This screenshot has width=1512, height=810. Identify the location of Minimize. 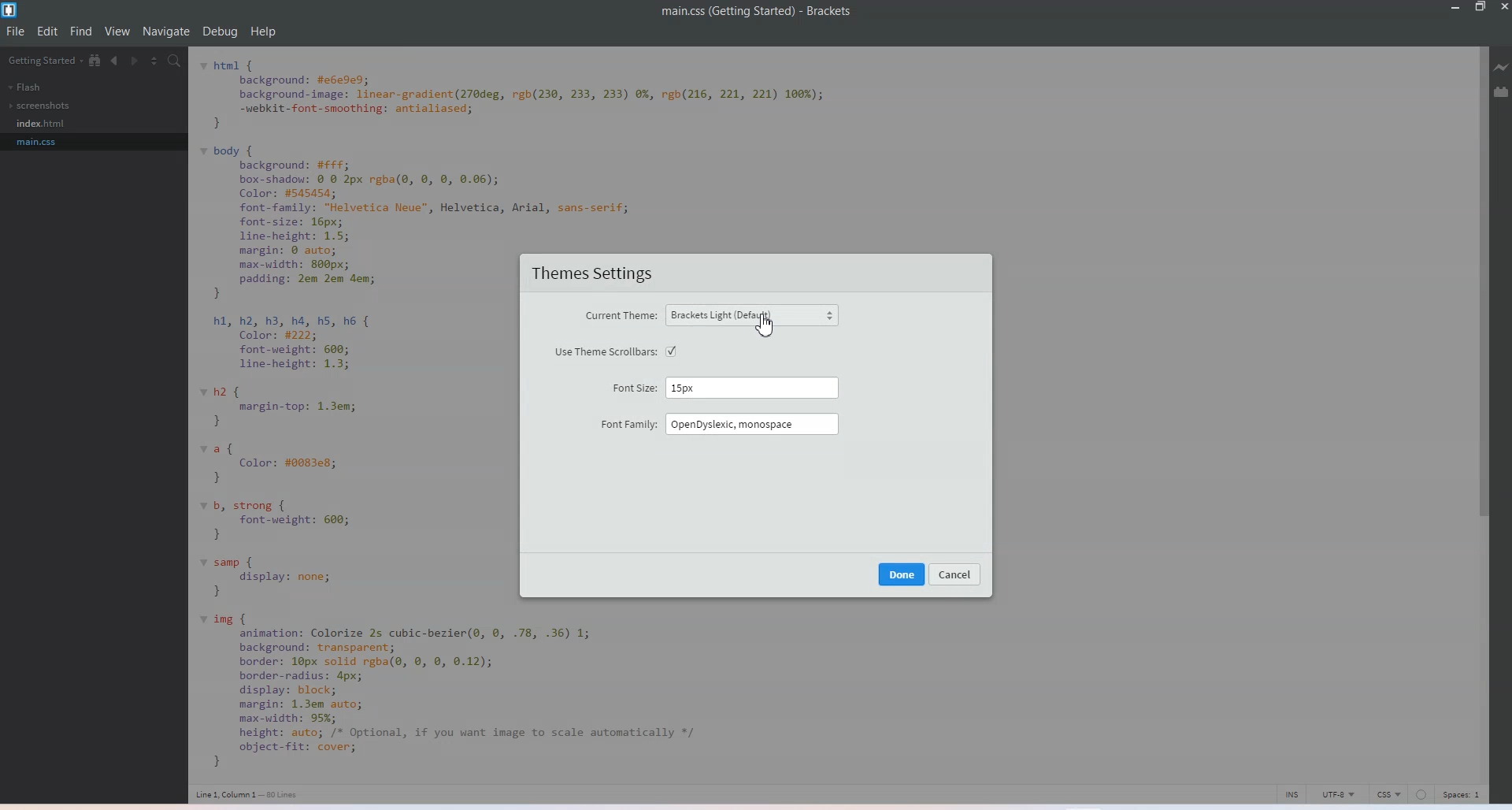
(1456, 6).